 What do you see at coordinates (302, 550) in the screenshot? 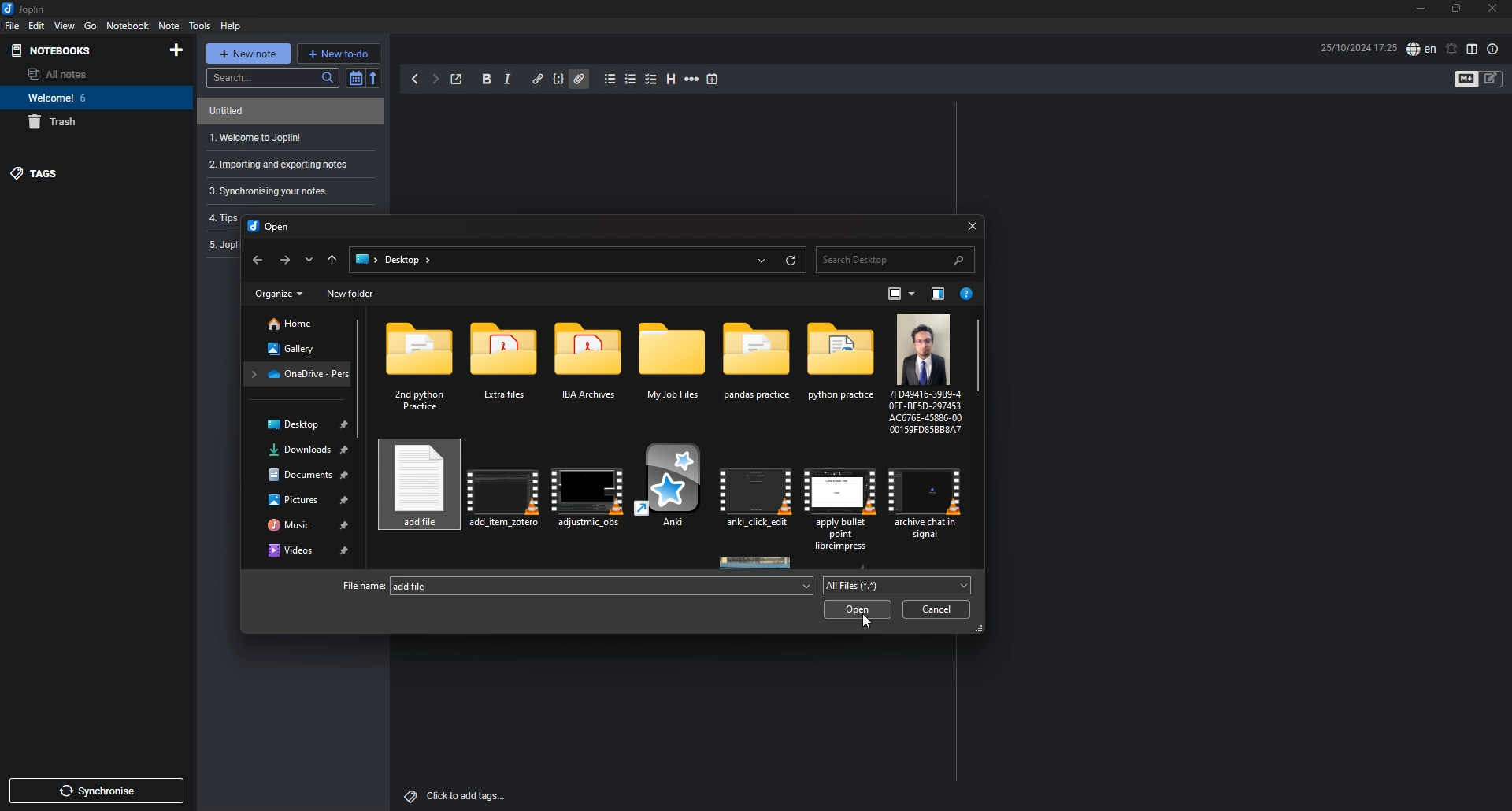
I see `videos` at bounding box center [302, 550].